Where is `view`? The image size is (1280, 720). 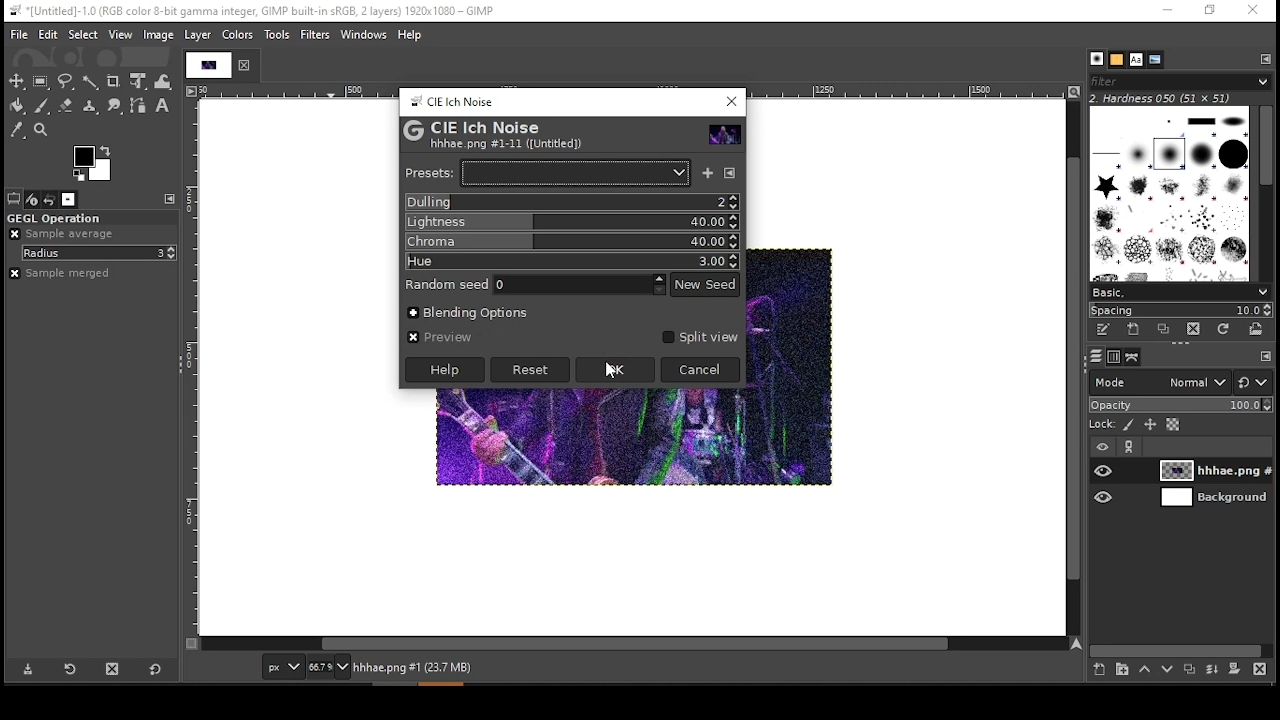
view is located at coordinates (120, 35).